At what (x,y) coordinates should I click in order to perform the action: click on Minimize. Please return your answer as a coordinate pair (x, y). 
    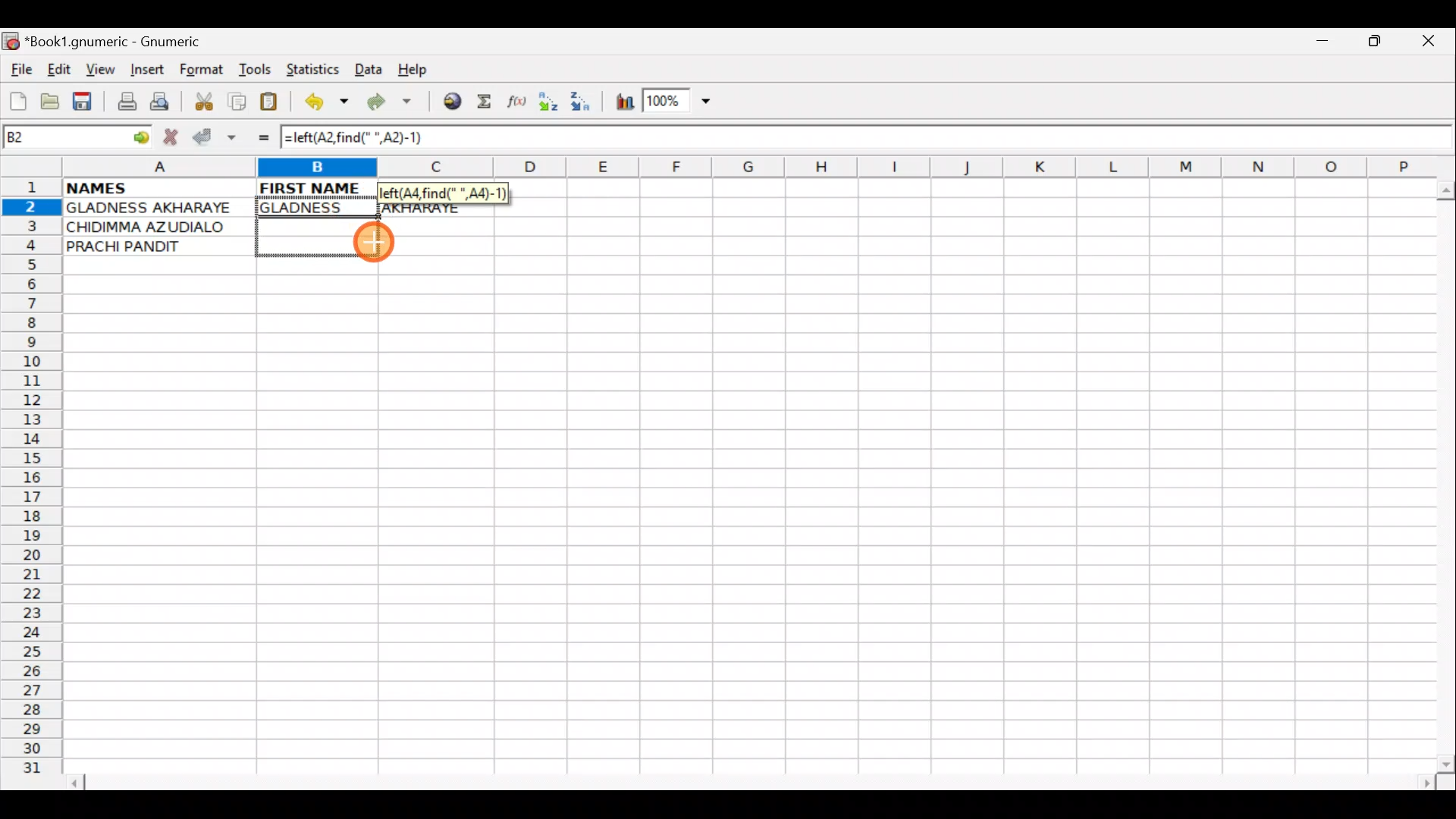
    Looking at the image, I should click on (1319, 45).